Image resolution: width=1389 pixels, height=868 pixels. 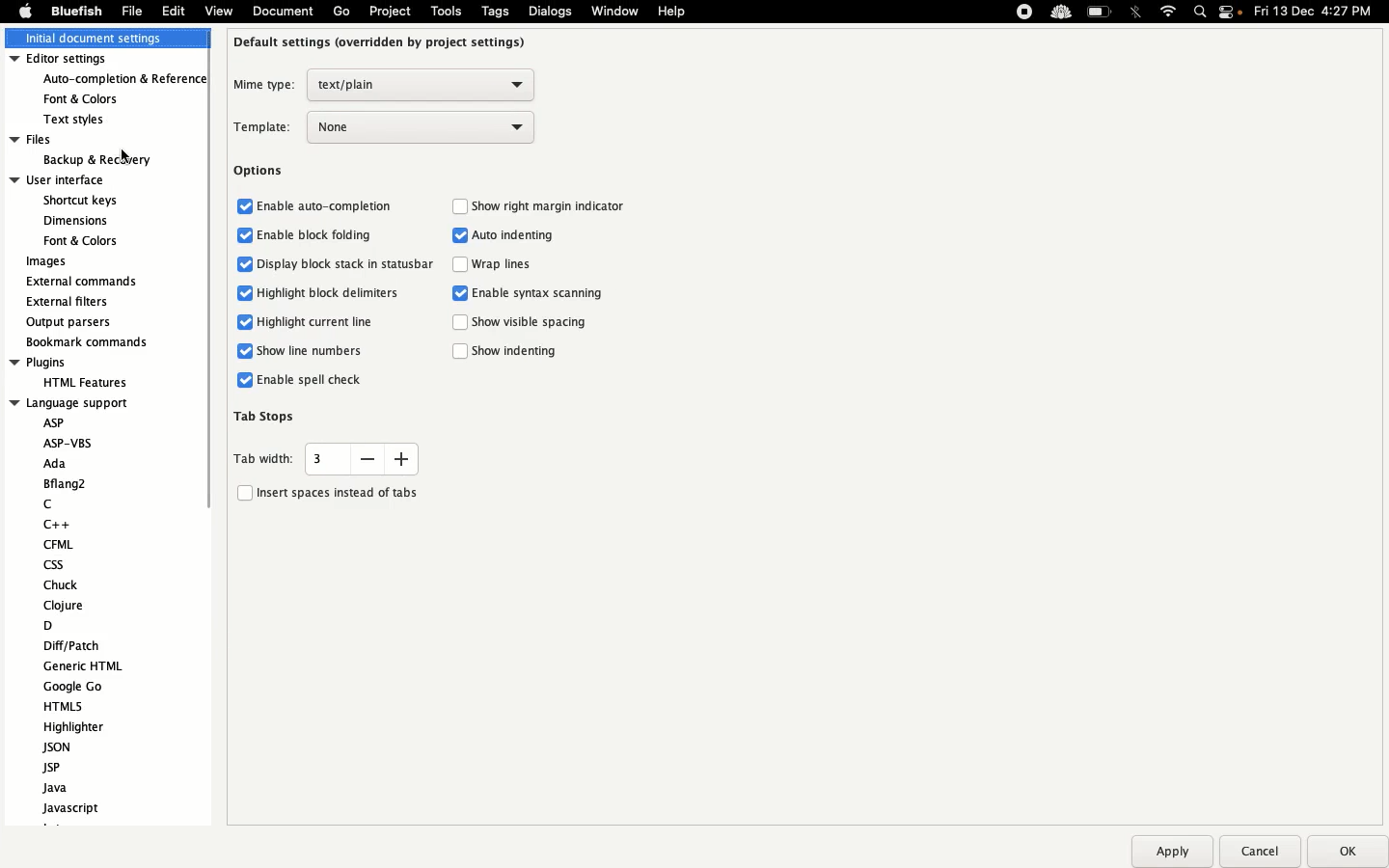 I want to click on Cancel, so click(x=1263, y=849).